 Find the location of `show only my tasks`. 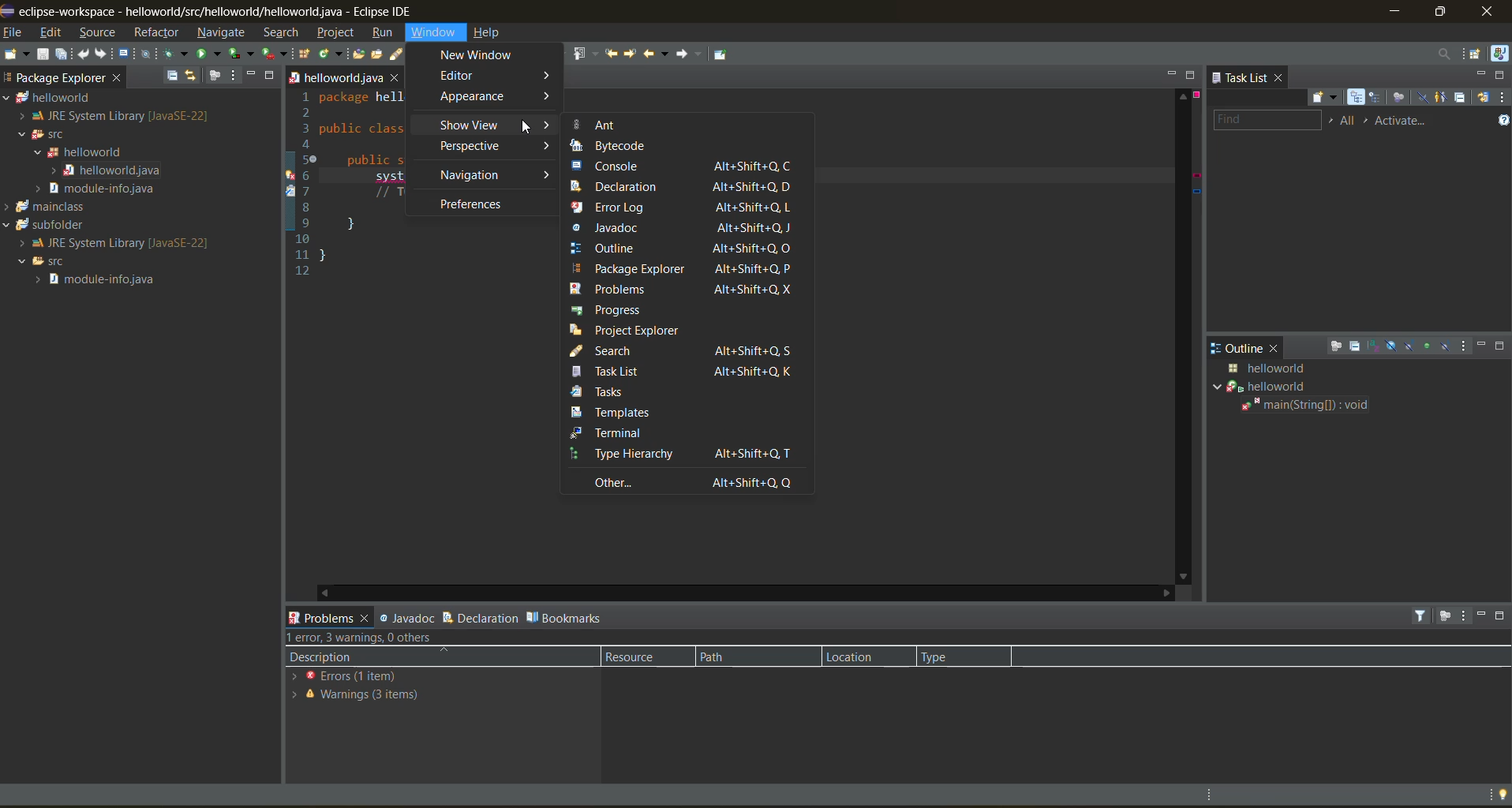

show only my tasks is located at coordinates (1443, 98).